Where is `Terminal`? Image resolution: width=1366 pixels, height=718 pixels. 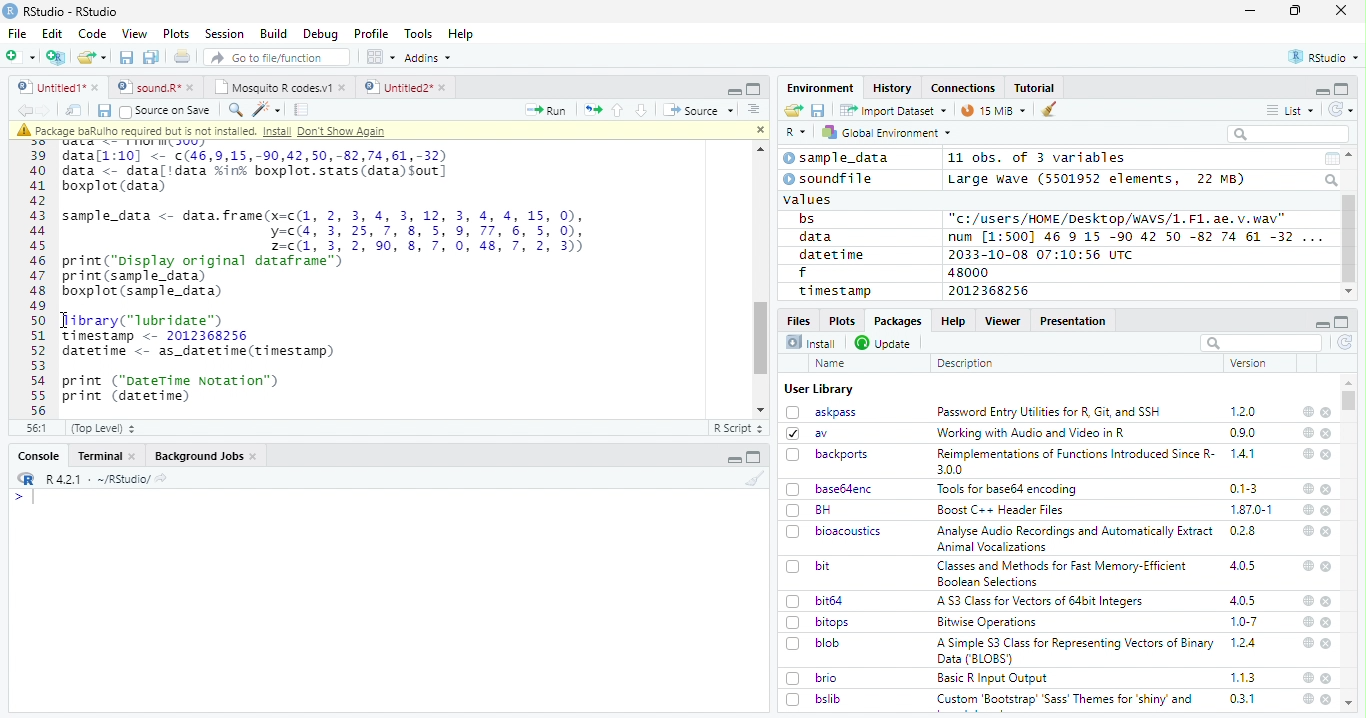 Terminal is located at coordinates (106, 456).